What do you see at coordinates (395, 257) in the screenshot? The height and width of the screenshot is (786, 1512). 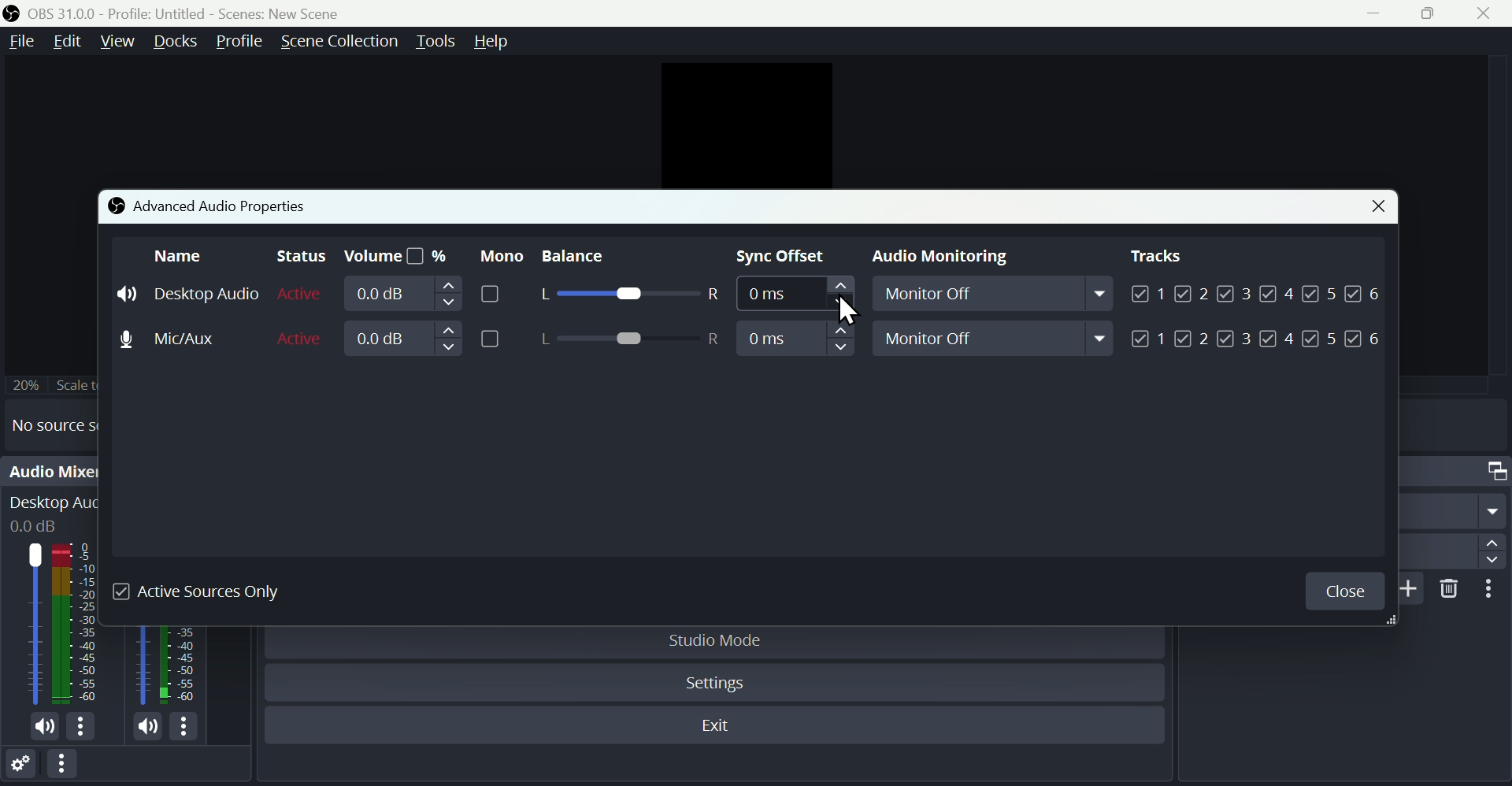 I see `Volume percentage` at bounding box center [395, 257].